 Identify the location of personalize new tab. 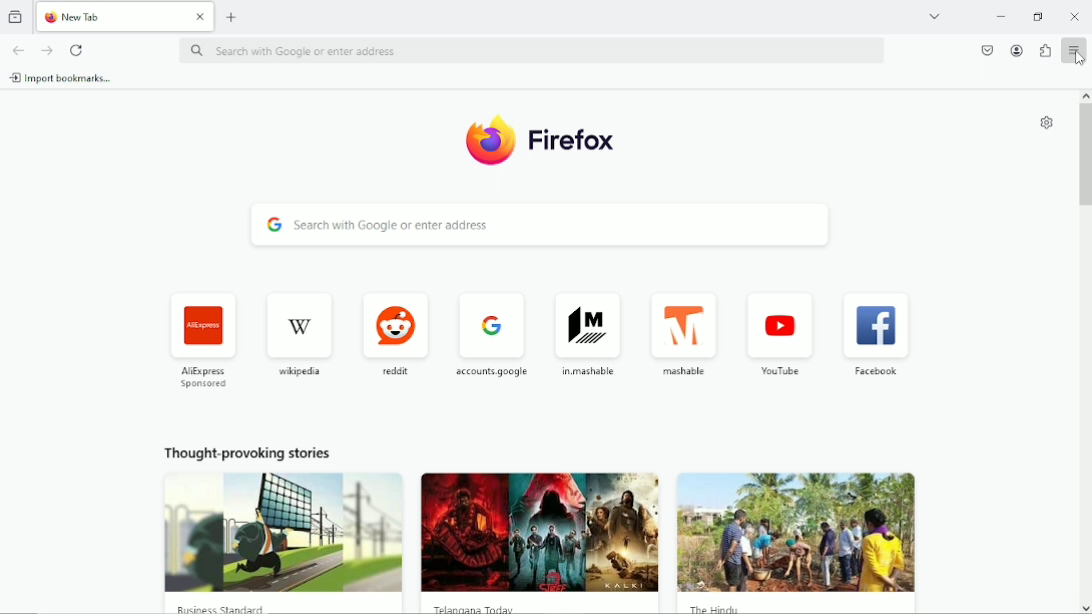
(1047, 121).